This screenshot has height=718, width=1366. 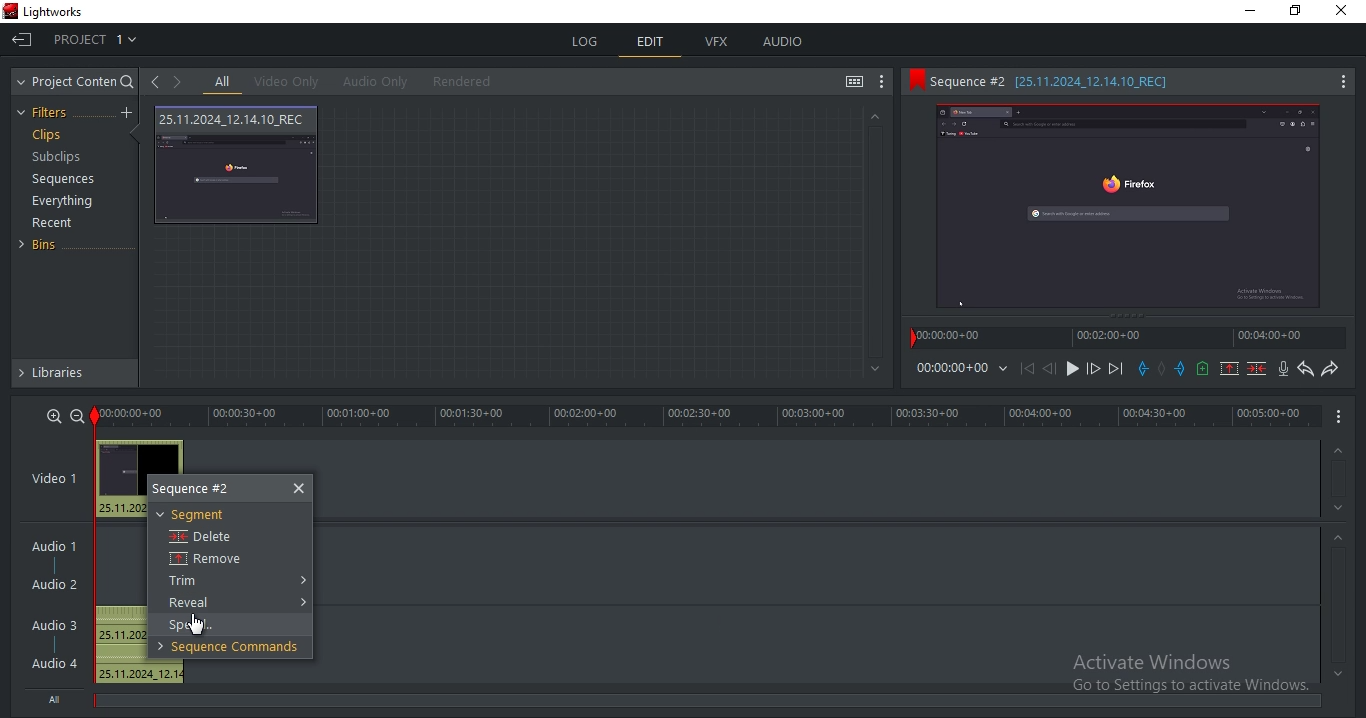 What do you see at coordinates (222, 83) in the screenshot?
I see `all` at bounding box center [222, 83].